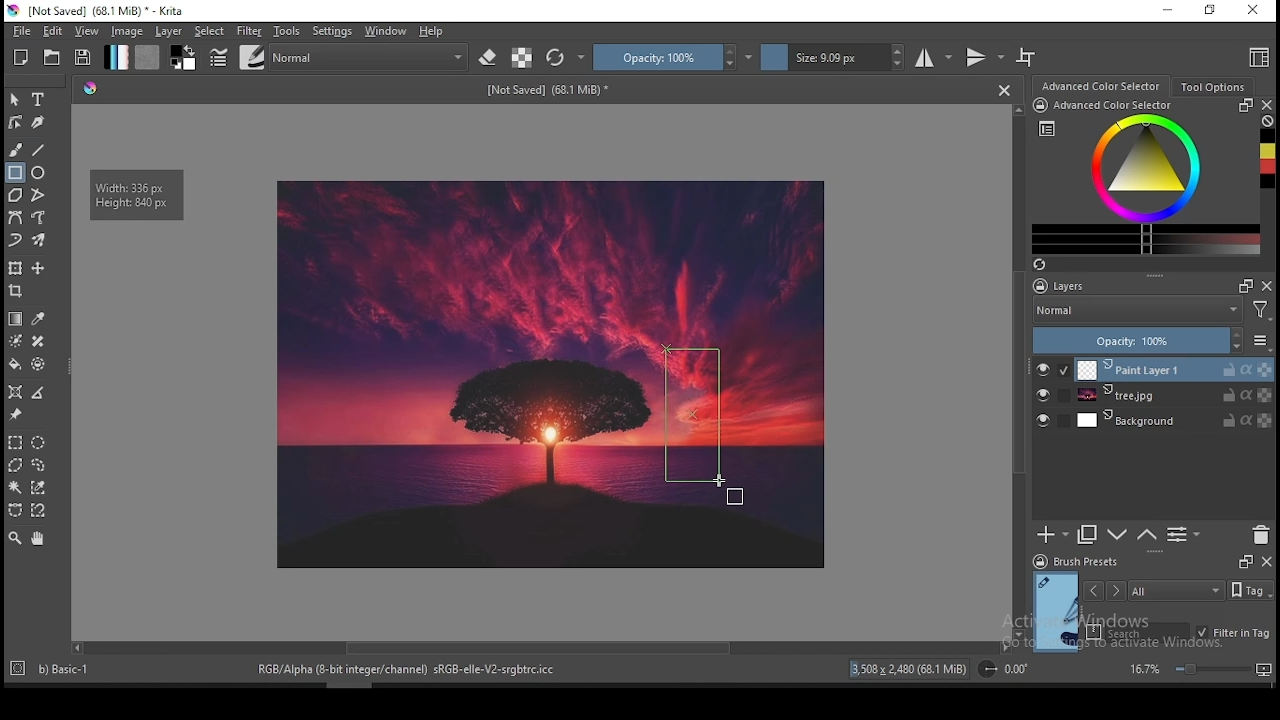 The height and width of the screenshot is (720, 1280). I want to click on preserve alpha, so click(522, 58).